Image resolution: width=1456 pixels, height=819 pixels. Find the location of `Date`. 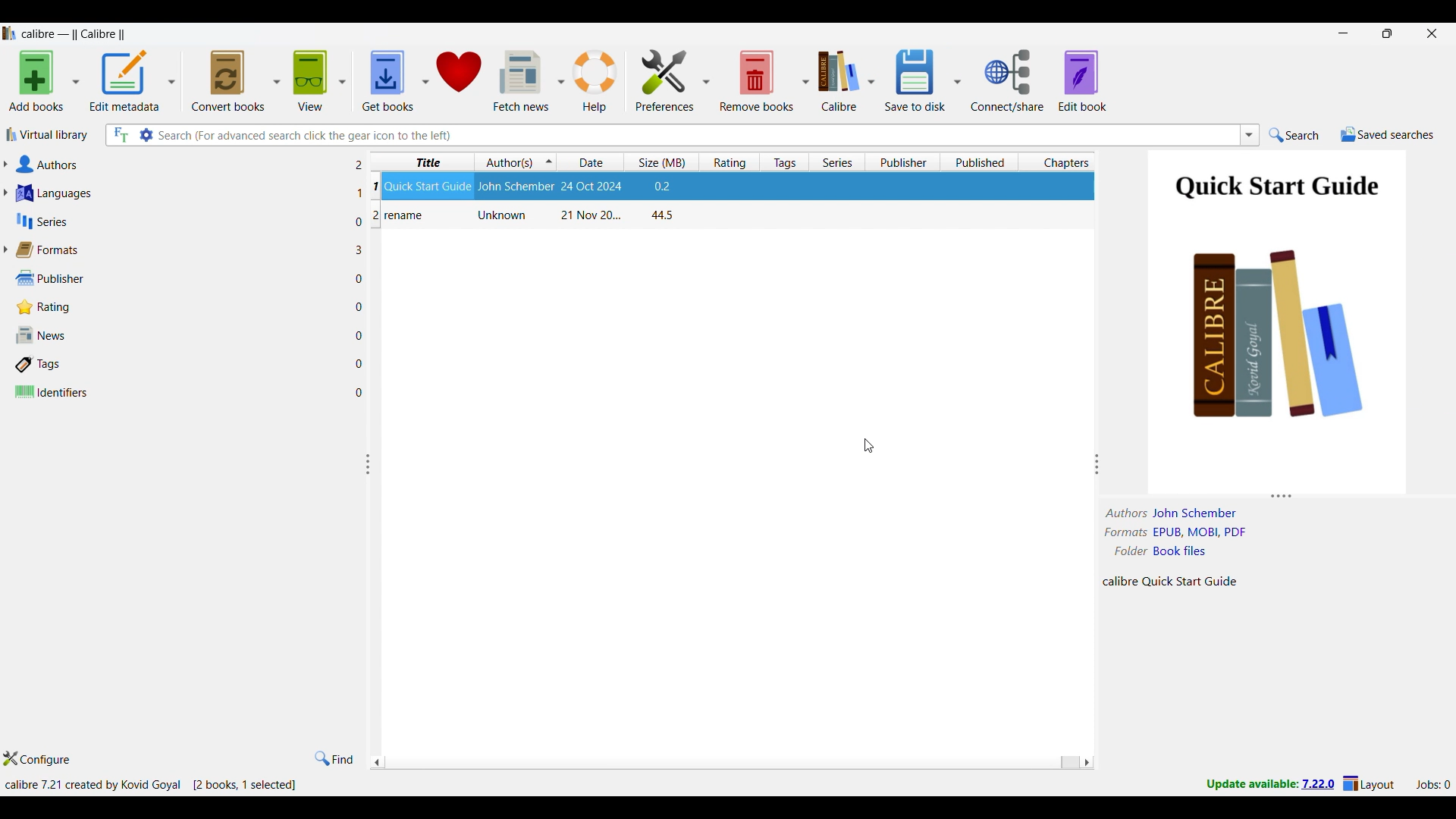

Date is located at coordinates (593, 185).